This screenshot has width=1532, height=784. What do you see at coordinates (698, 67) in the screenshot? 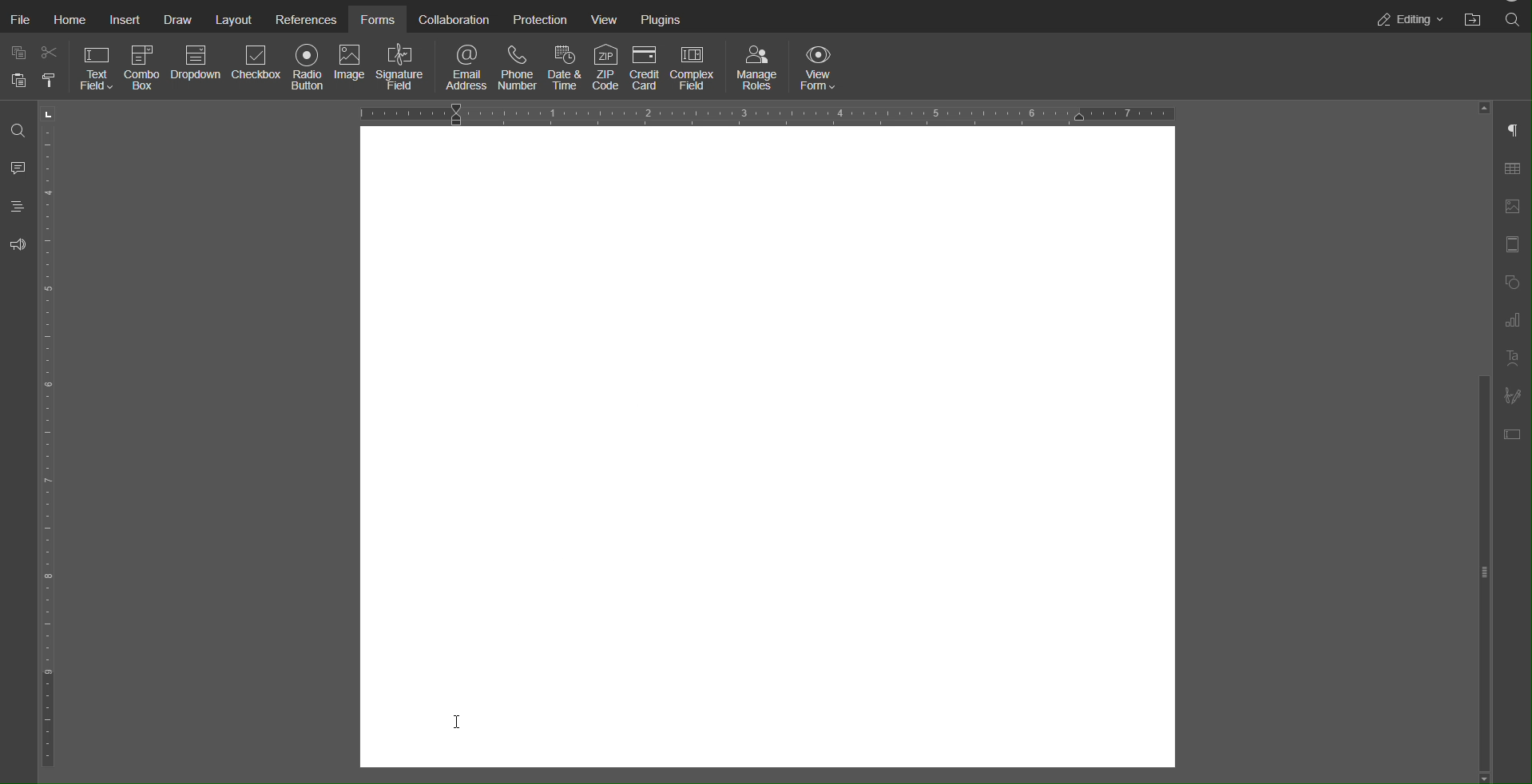
I see `Complex Field` at bounding box center [698, 67].